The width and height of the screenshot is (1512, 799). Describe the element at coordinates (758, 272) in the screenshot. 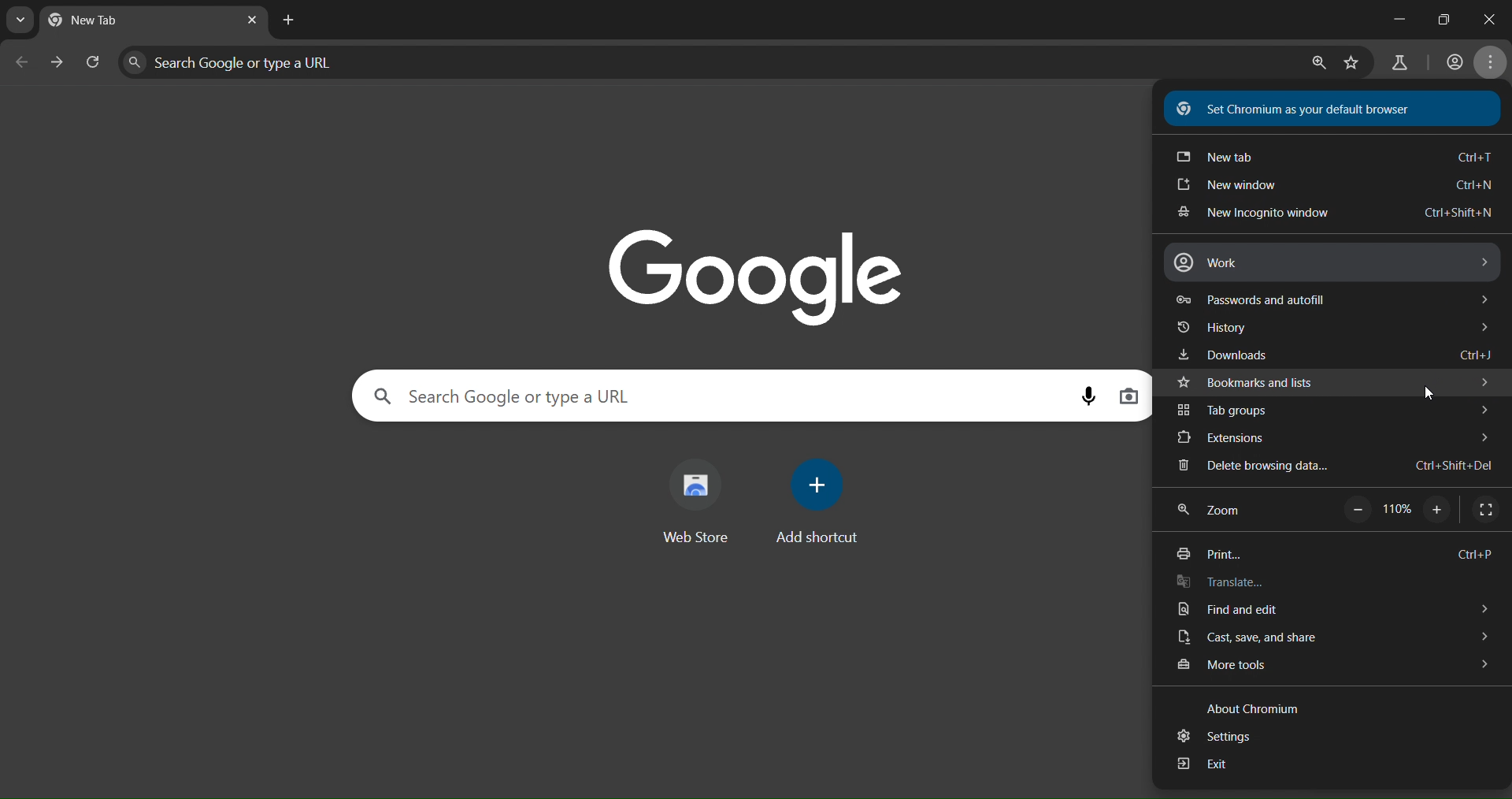

I see `Google logo` at that location.